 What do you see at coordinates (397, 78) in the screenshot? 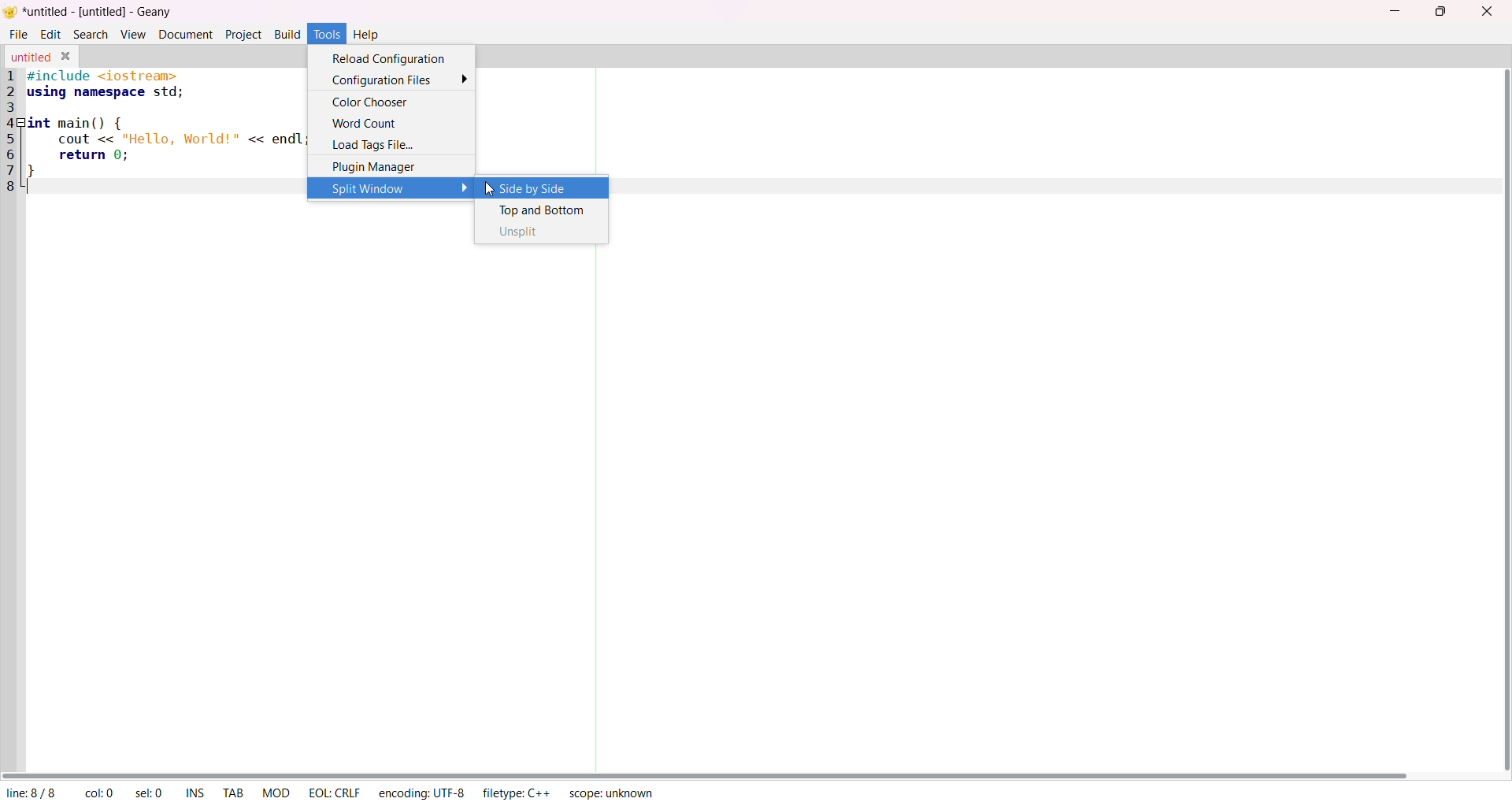
I see `Configuration Files` at bounding box center [397, 78].